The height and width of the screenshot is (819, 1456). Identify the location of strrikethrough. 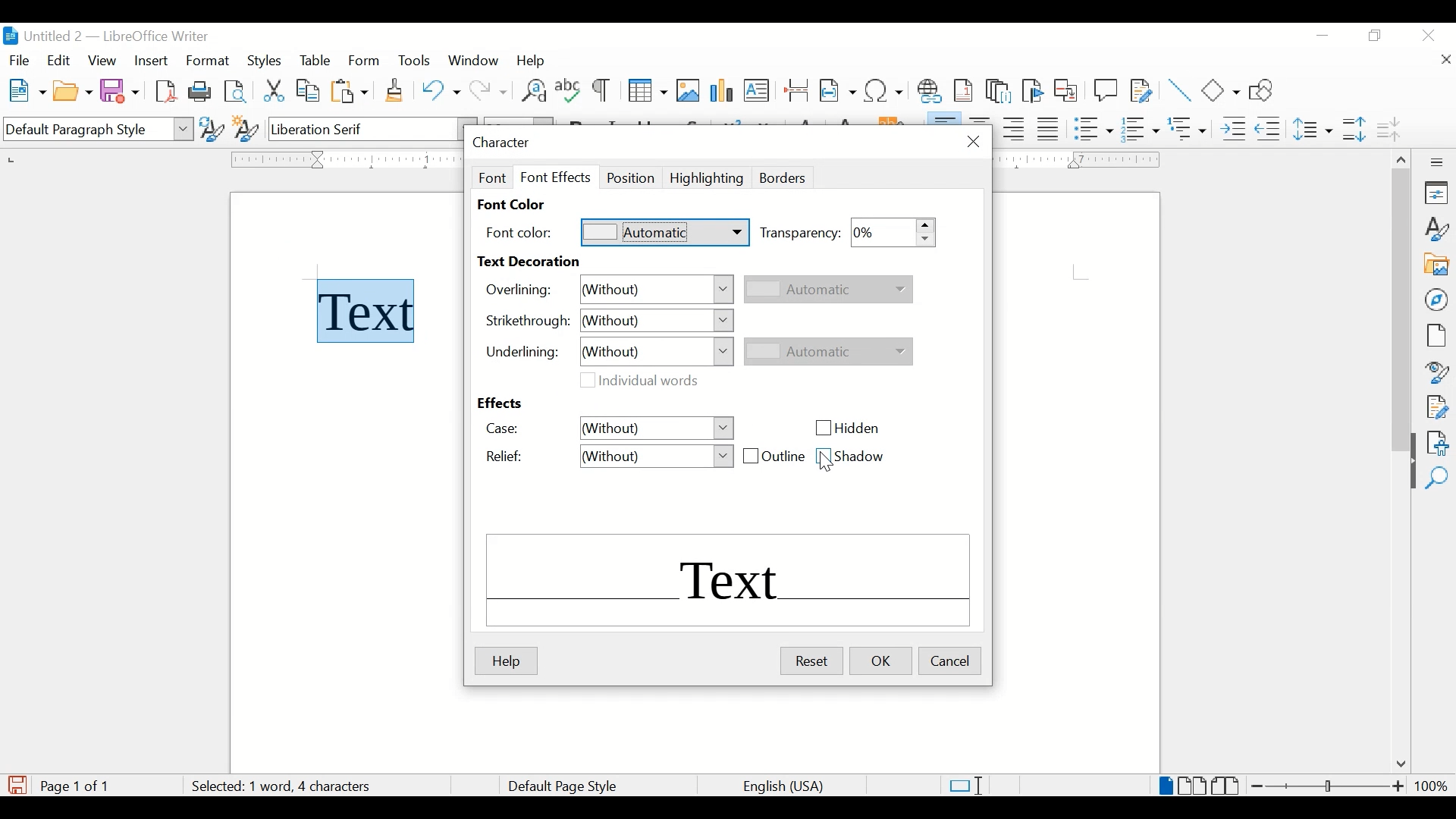
(528, 322).